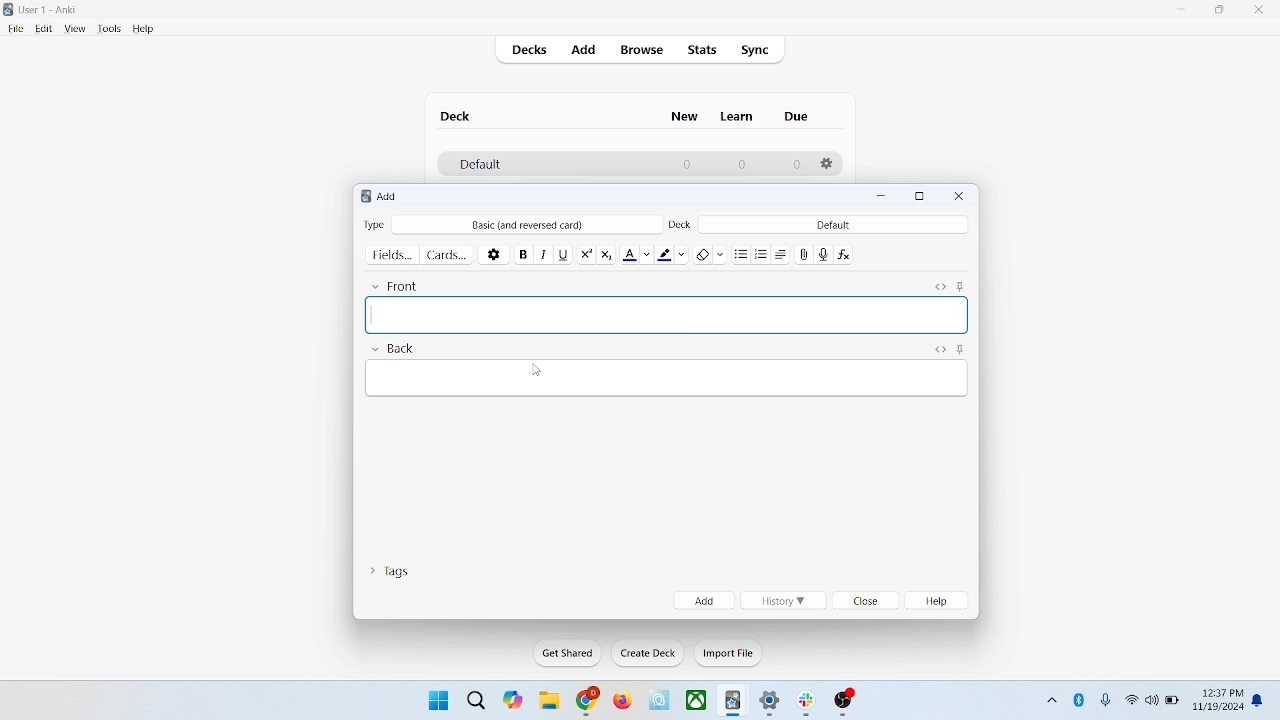  Describe the element at coordinates (606, 252) in the screenshot. I see `subscript` at that location.